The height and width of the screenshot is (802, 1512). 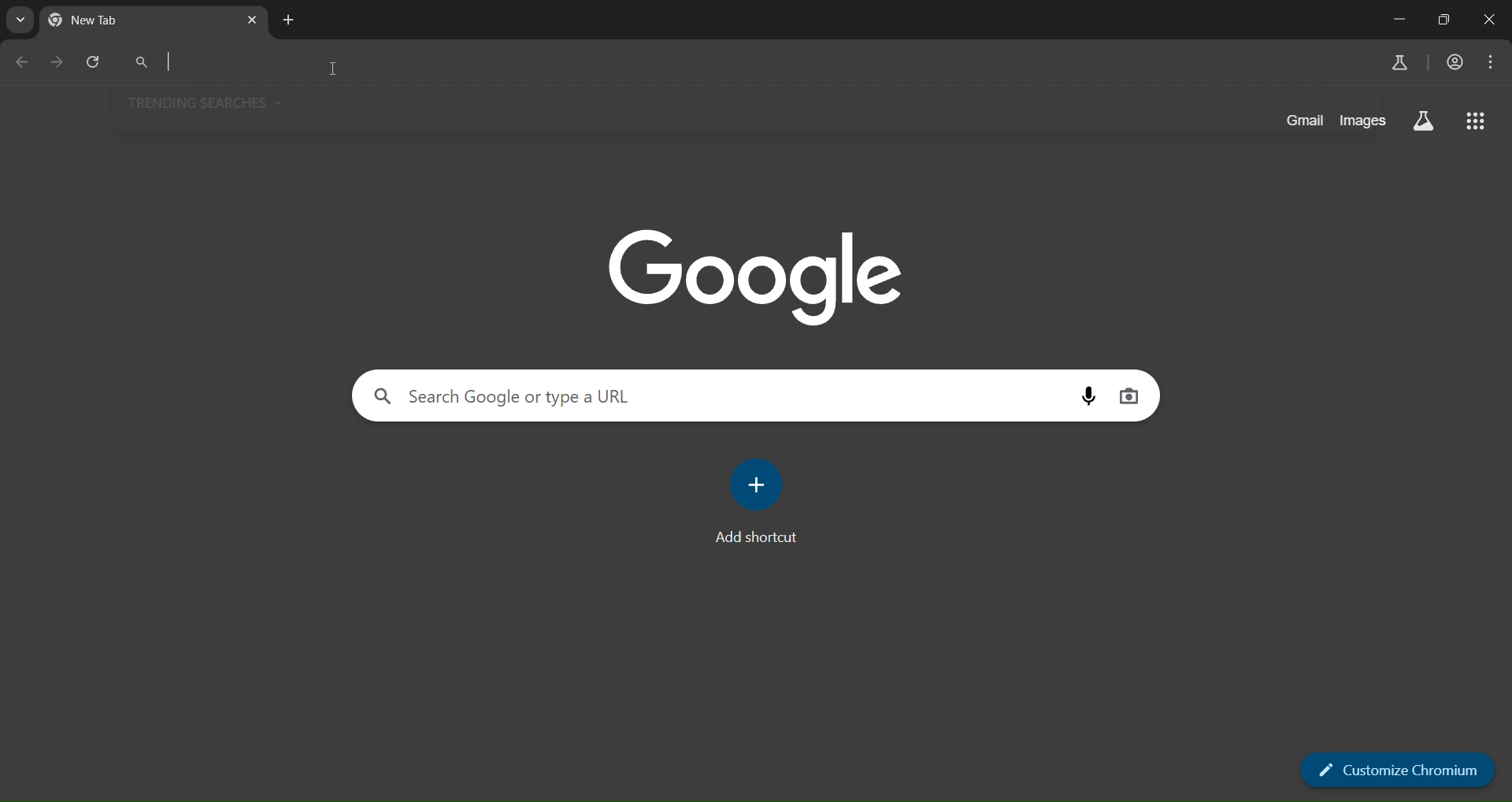 I want to click on go back one page, so click(x=23, y=62).